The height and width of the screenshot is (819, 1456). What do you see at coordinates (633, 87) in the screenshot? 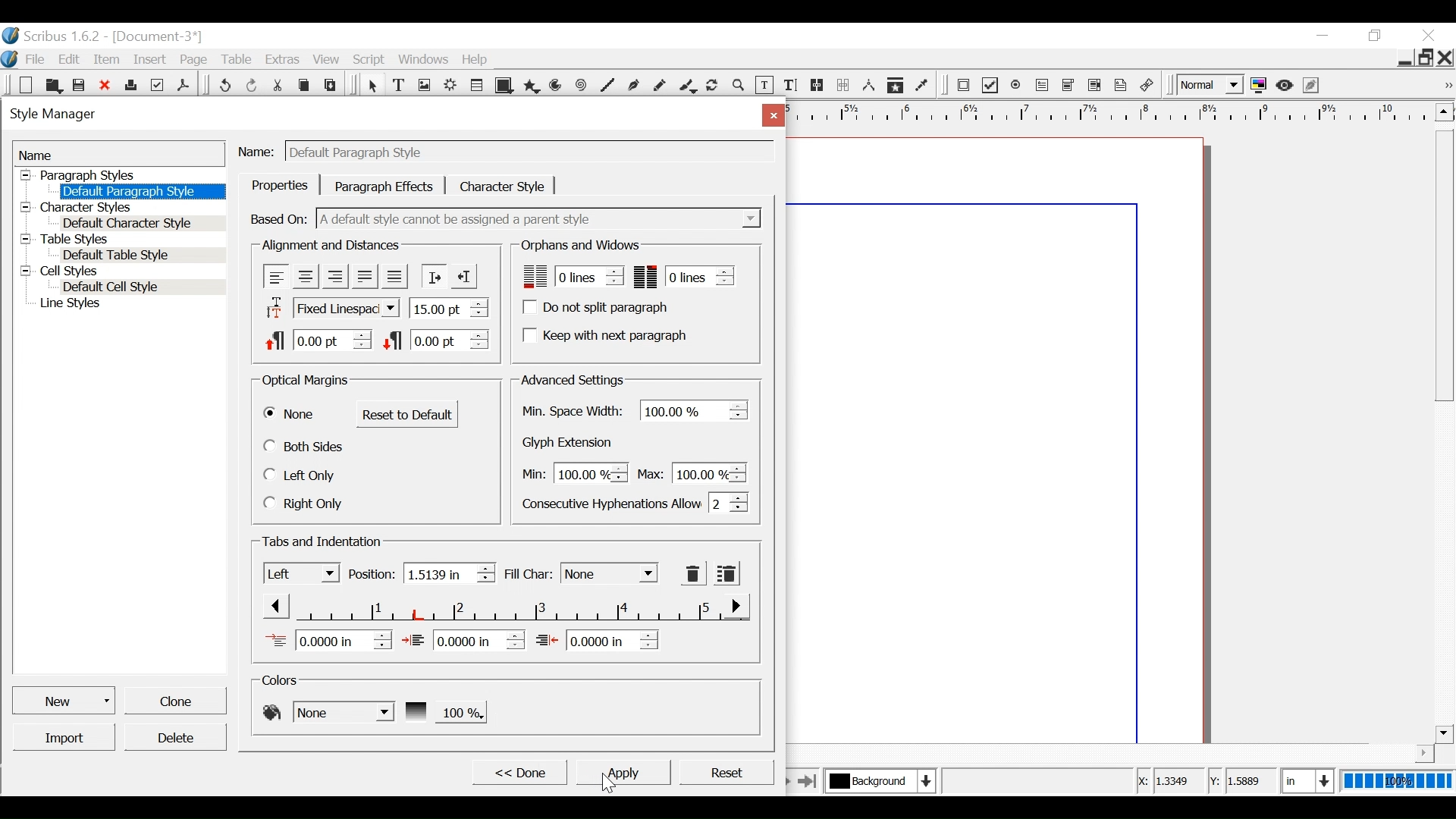
I see `Bezier curve` at bounding box center [633, 87].